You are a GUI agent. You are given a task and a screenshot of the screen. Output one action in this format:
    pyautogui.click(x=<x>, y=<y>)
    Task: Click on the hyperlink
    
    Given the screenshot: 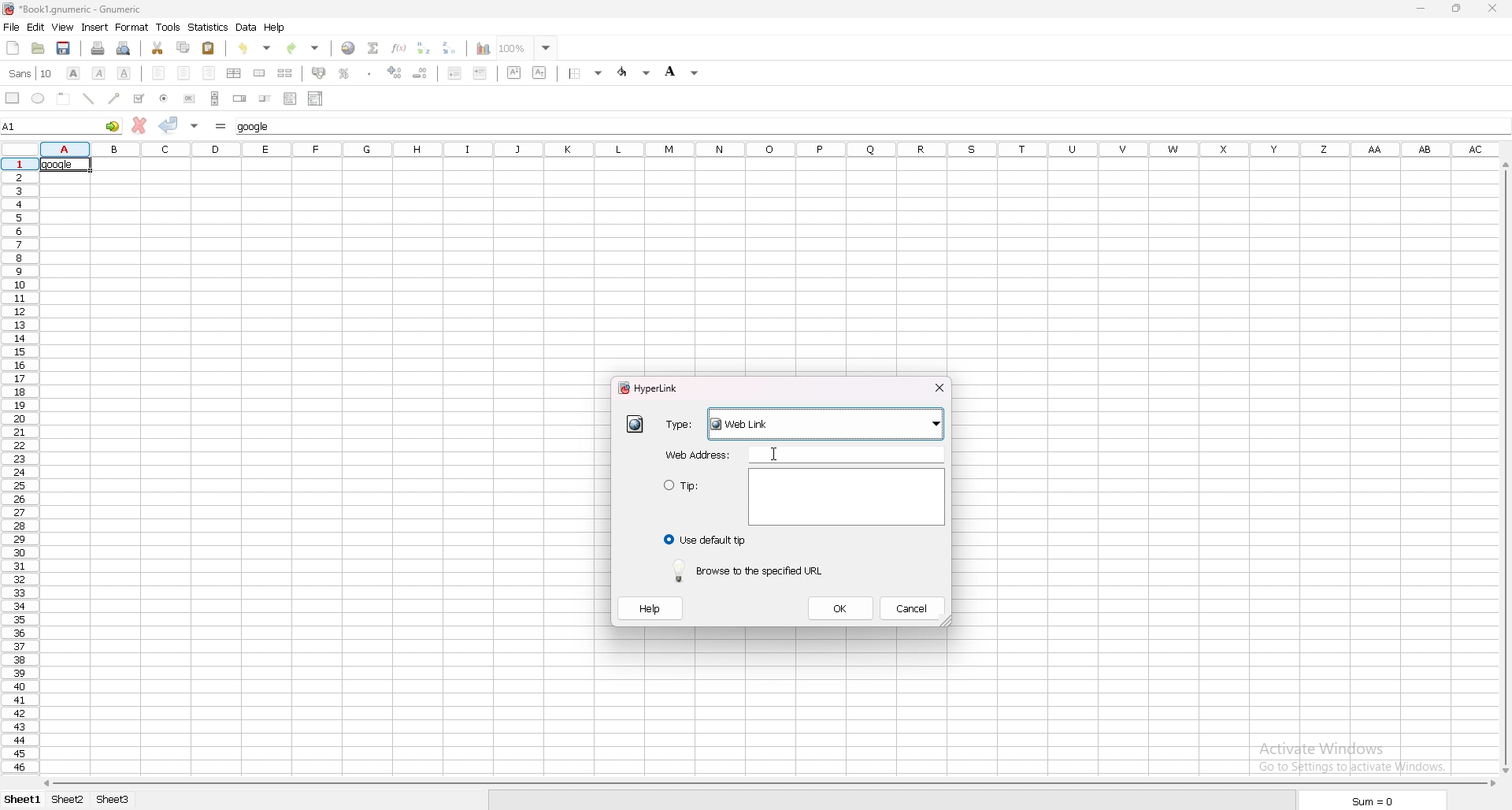 What is the action you would take?
    pyautogui.click(x=348, y=48)
    